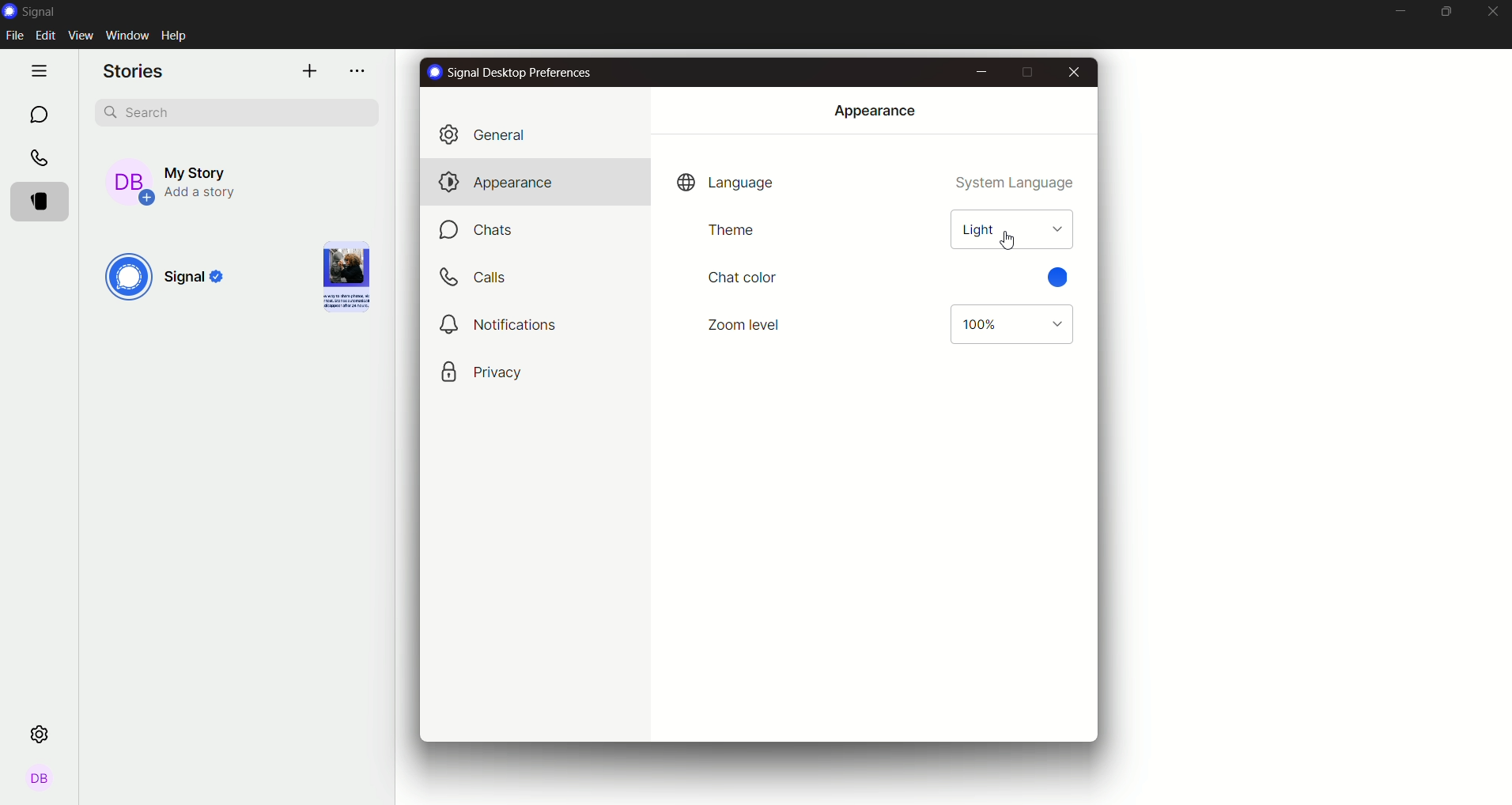 This screenshot has height=805, width=1512. What do you see at coordinates (1398, 12) in the screenshot?
I see `minimize` at bounding box center [1398, 12].